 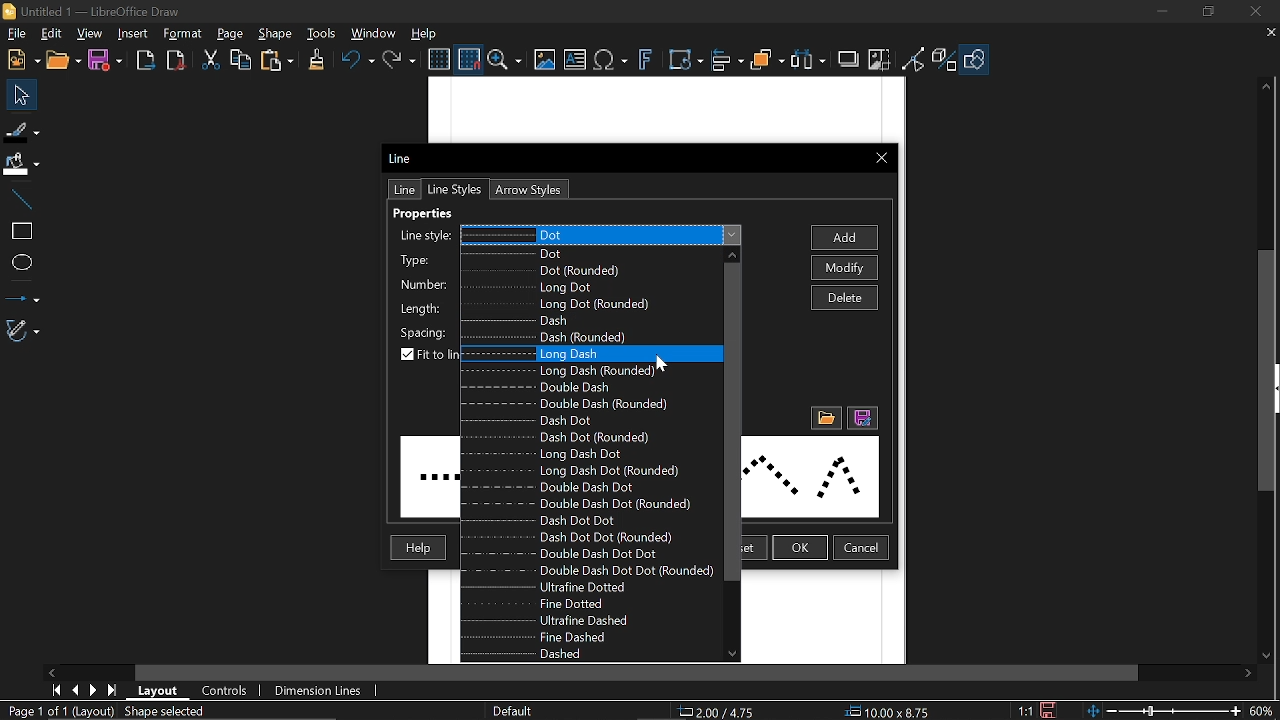 What do you see at coordinates (400, 158) in the screenshot?
I see `Line` at bounding box center [400, 158].